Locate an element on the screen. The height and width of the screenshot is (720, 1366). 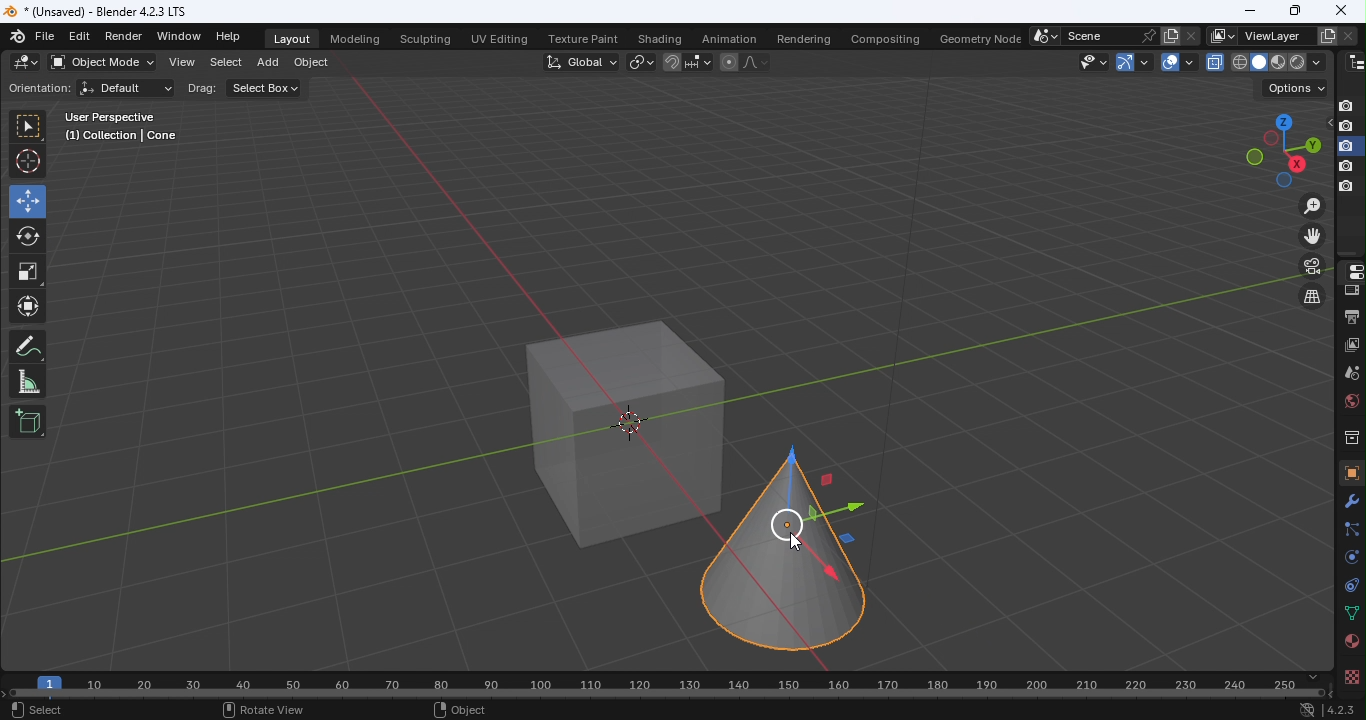
Scene is located at coordinates (1351, 372).